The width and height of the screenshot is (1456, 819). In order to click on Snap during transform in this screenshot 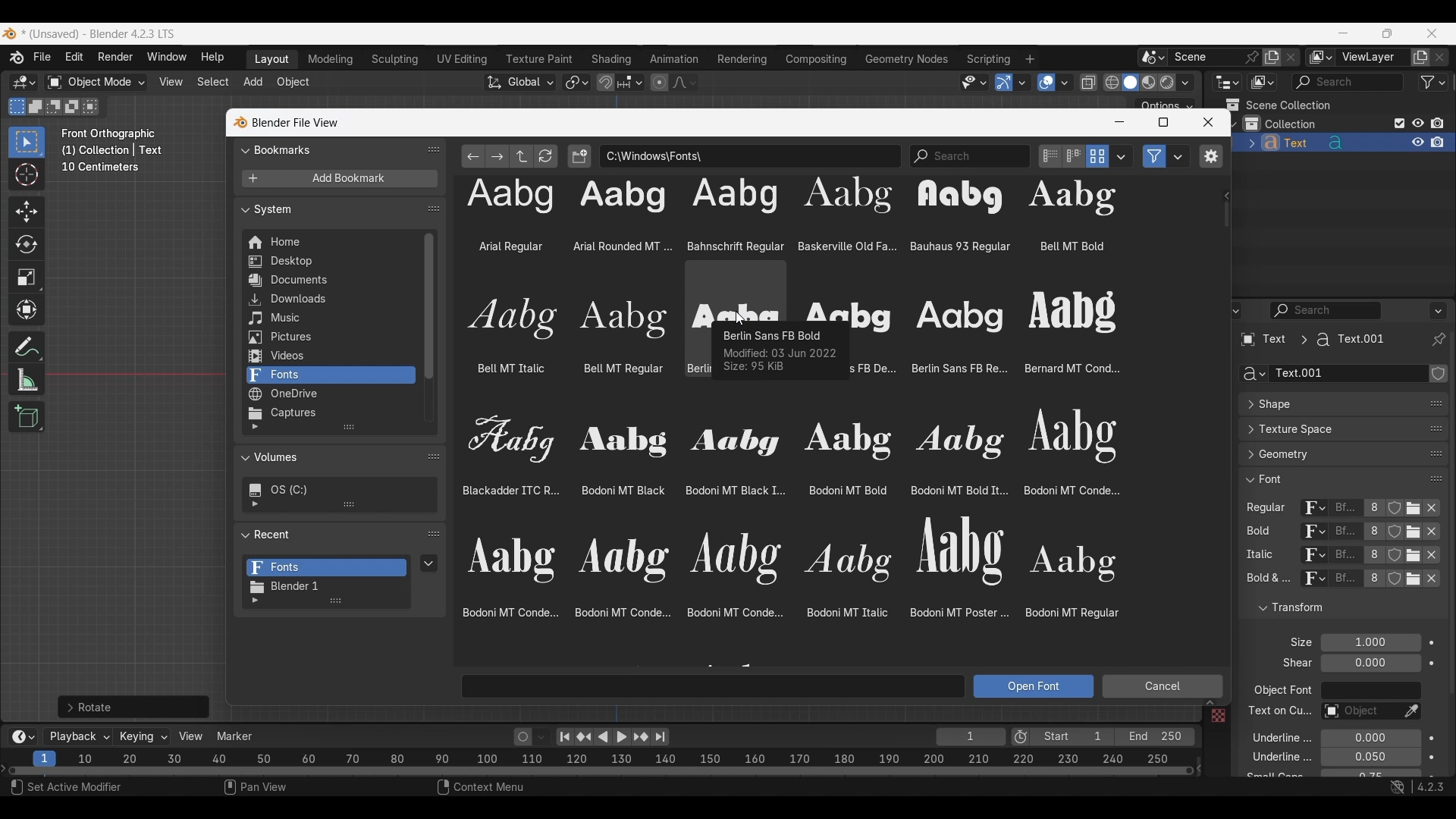, I will do `click(606, 82)`.